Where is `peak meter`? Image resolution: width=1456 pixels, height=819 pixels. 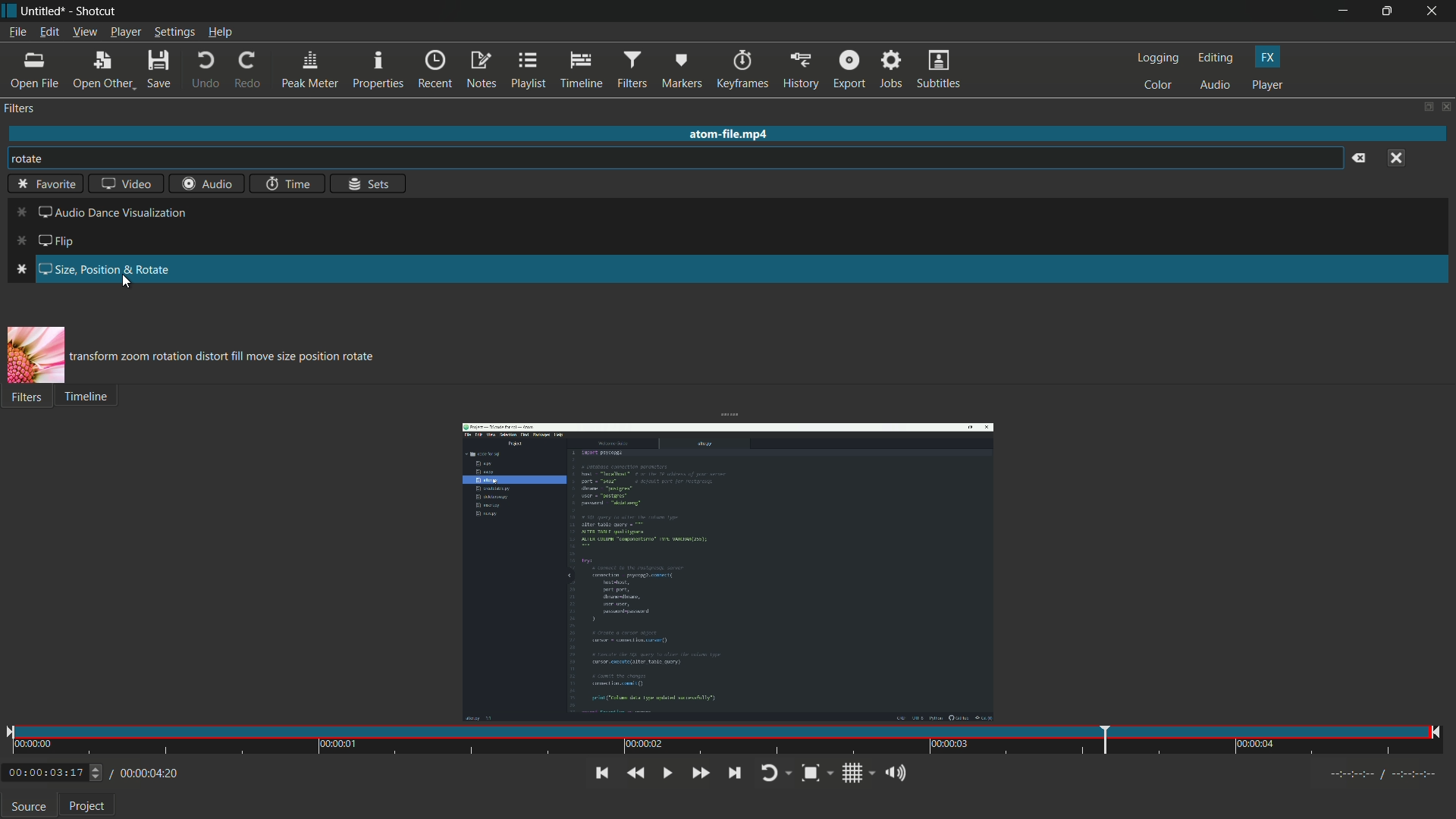 peak meter is located at coordinates (310, 71).